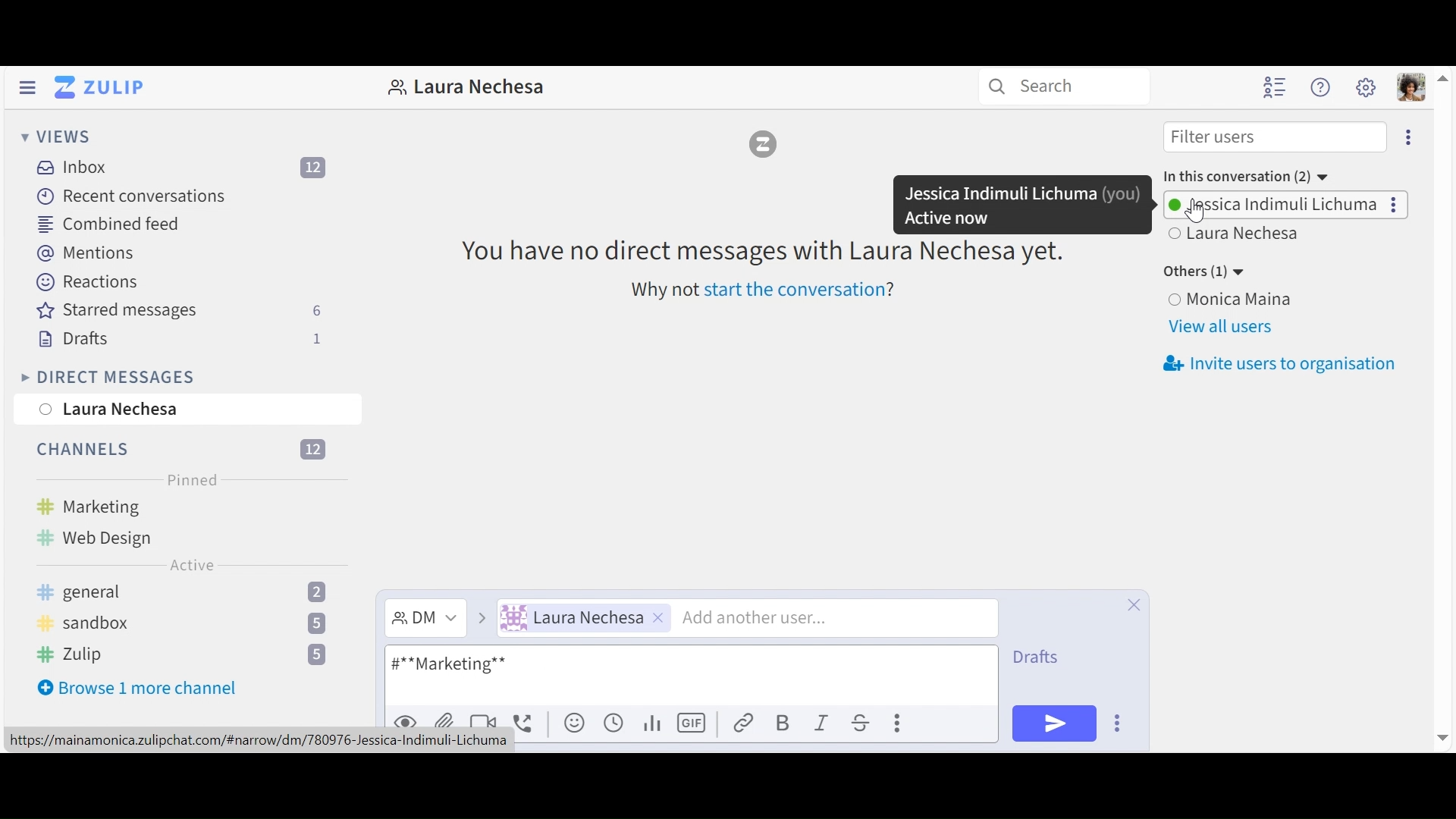 This screenshot has height=819, width=1456. Describe the element at coordinates (1290, 300) in the screenshot. I see `User` at that location.